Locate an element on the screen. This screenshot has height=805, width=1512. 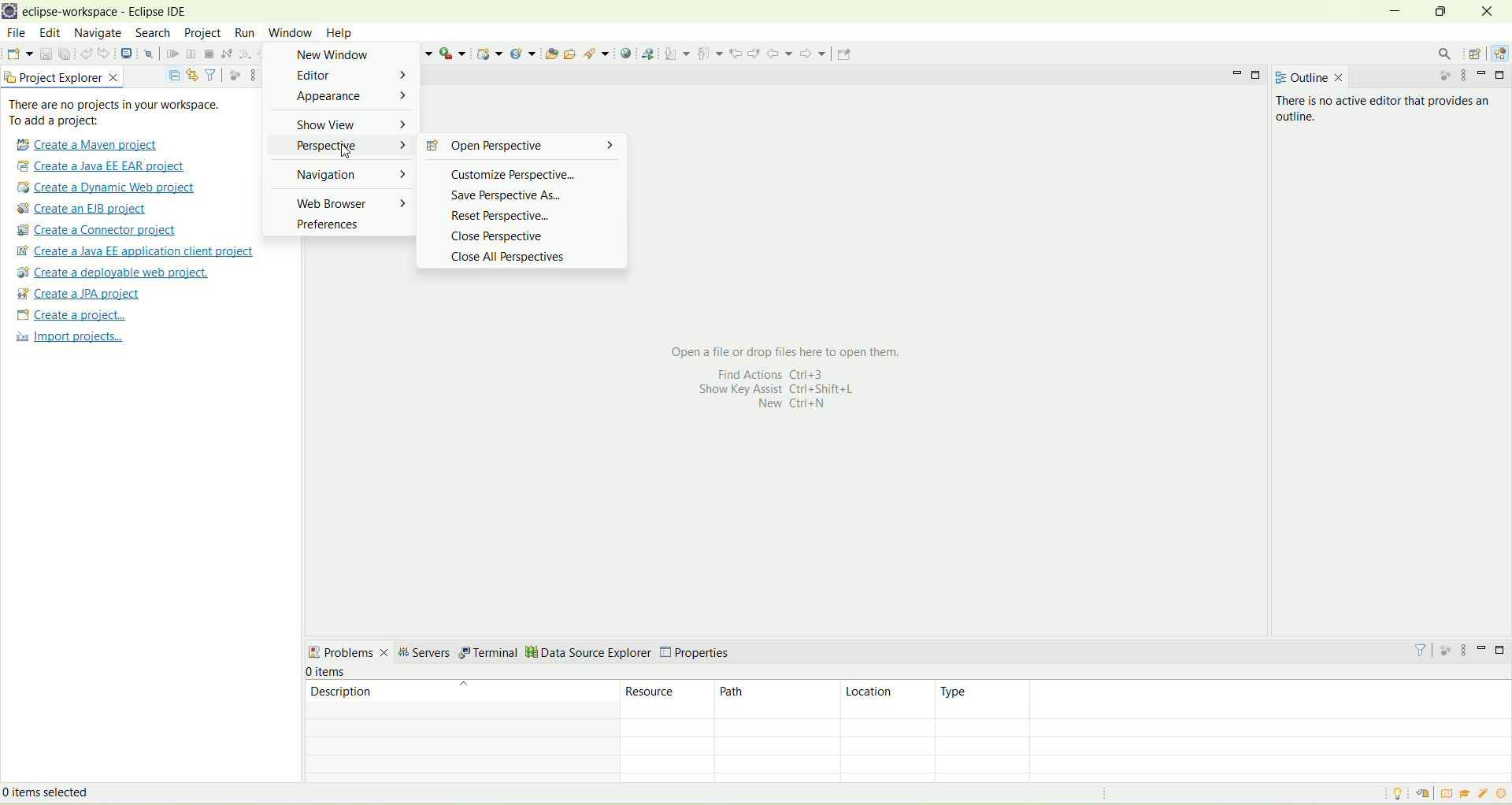
There is no active editor that provides an outline. is located at coordinates (1358, 121).